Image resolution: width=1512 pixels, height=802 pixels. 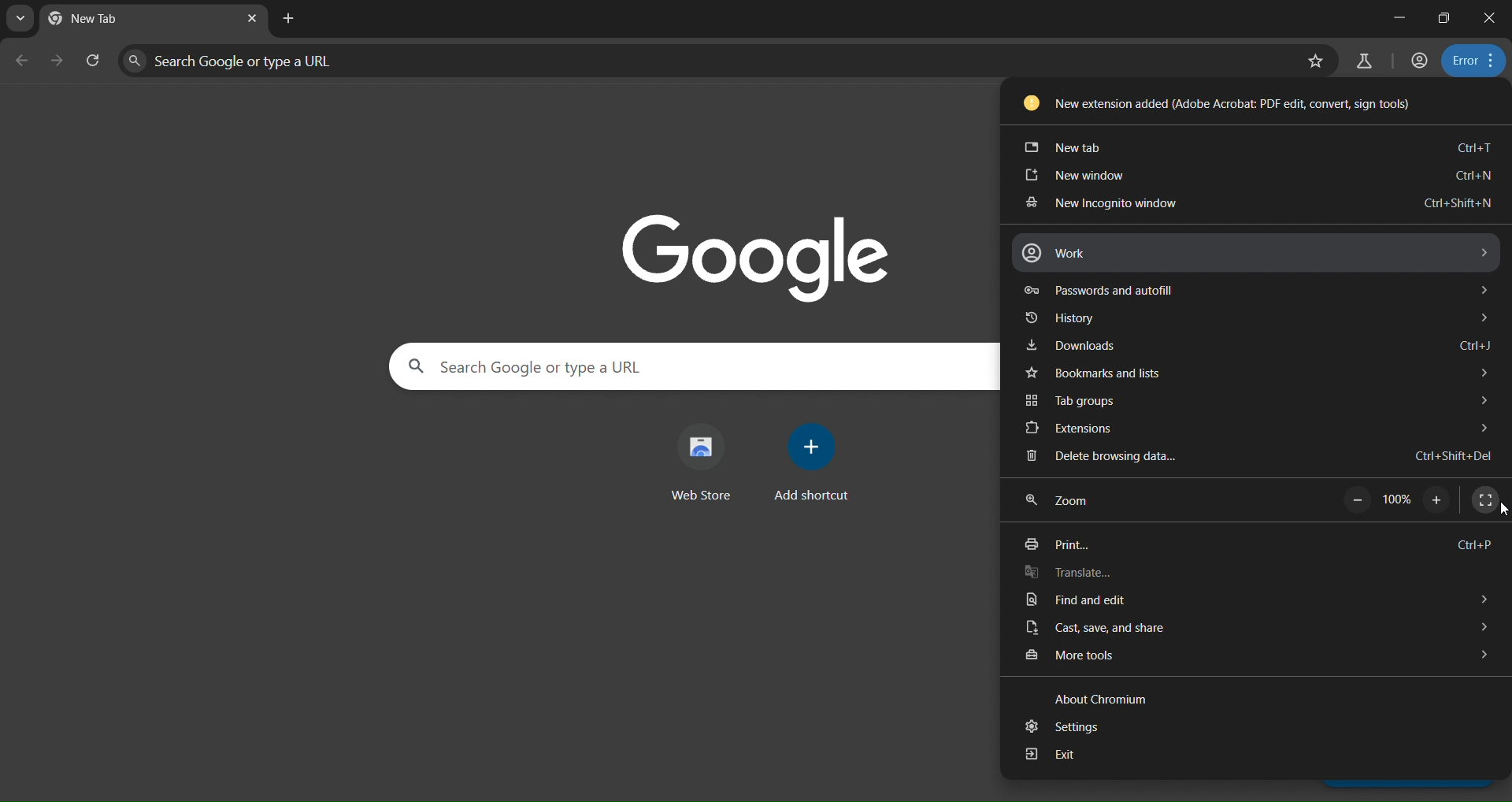 What do you see at coordinates (1239, 757) in the screenshot?
I see `exit` at bounding box center [1239, 757].